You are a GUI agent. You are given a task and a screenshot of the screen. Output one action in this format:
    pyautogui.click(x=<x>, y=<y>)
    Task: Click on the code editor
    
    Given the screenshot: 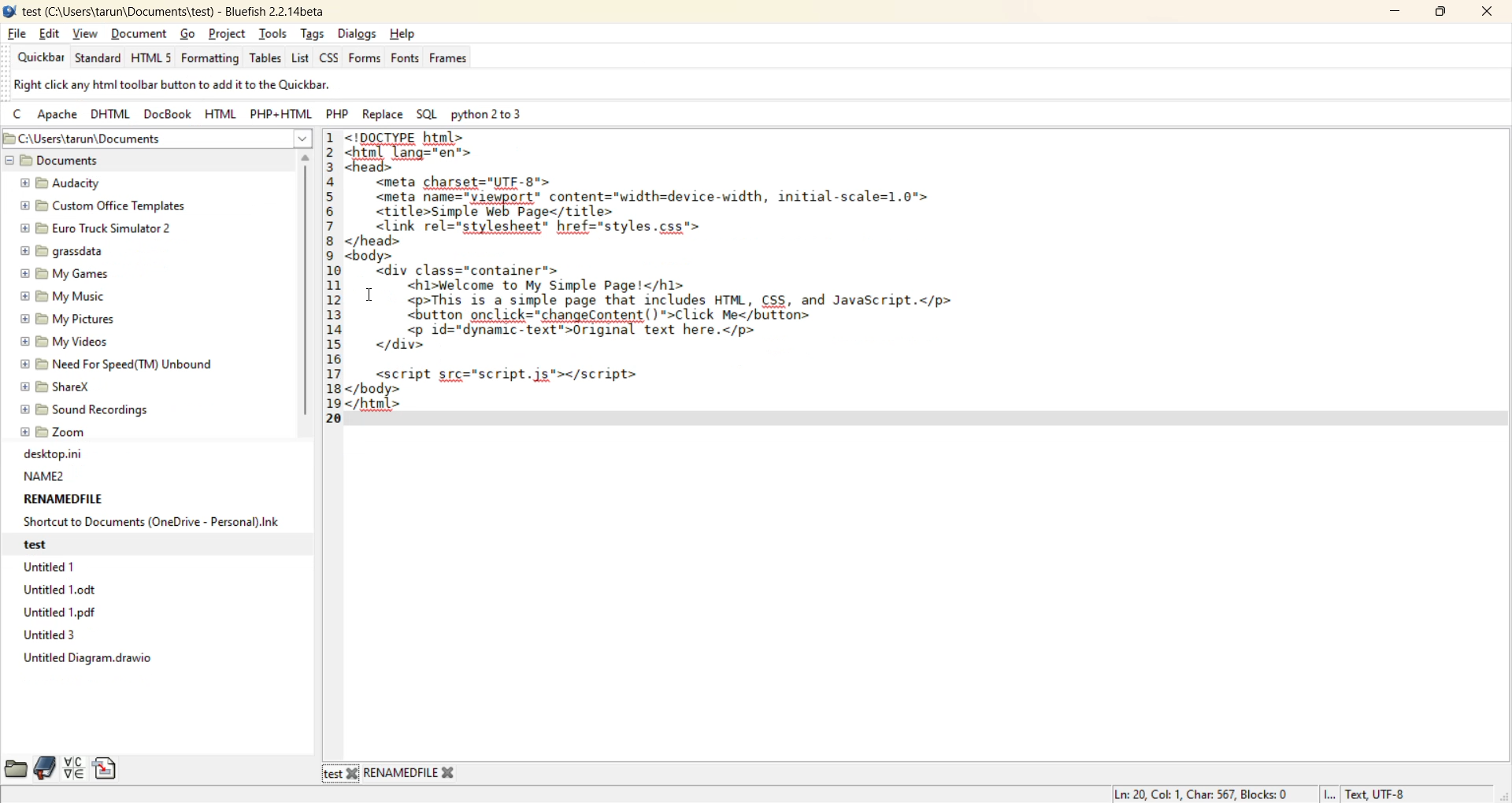 What is the action you would take?
    pyautogui.click(x=695, y=283)
    